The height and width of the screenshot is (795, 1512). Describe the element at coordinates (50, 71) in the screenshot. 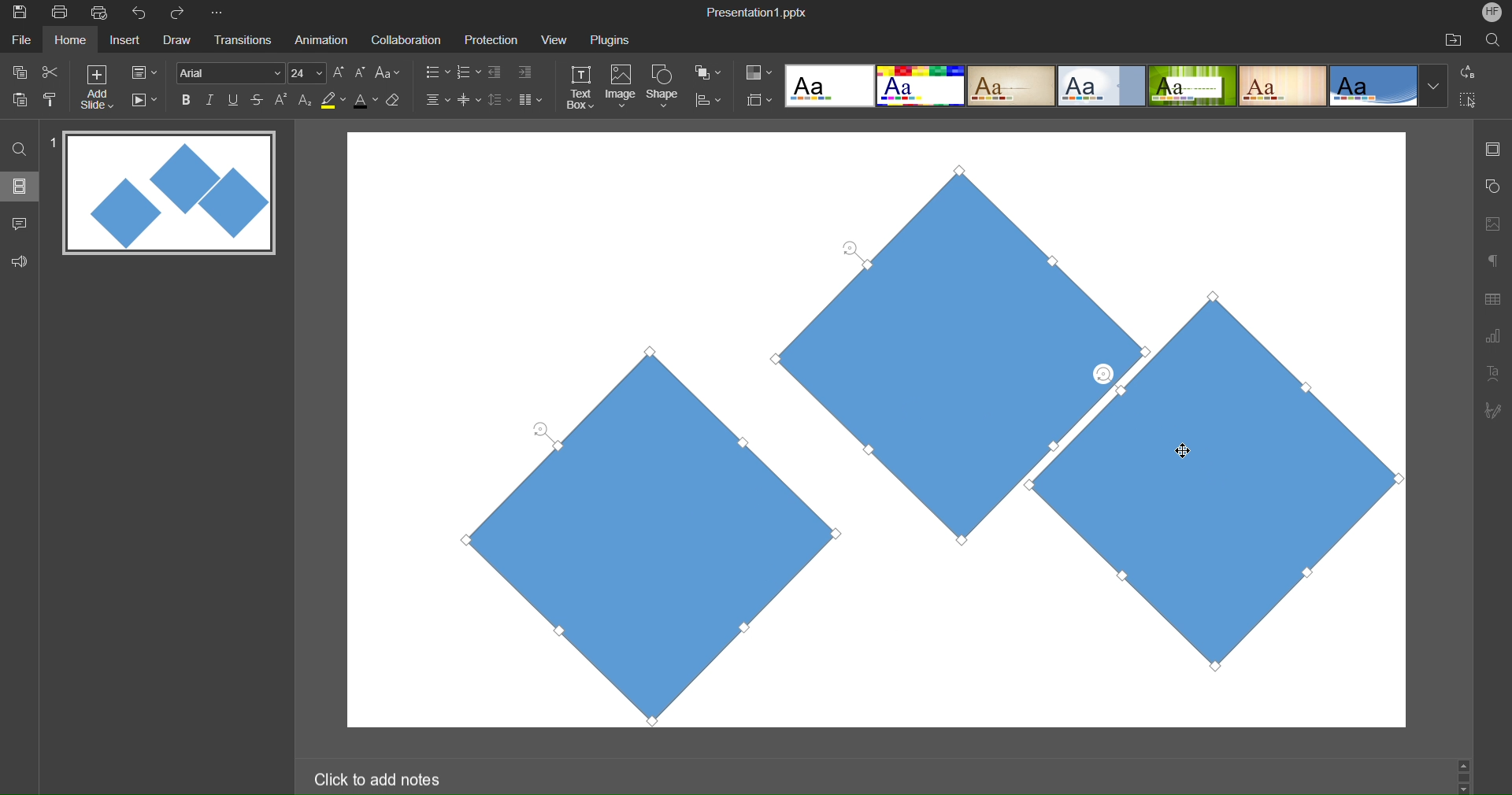

I see `cut` at that location.